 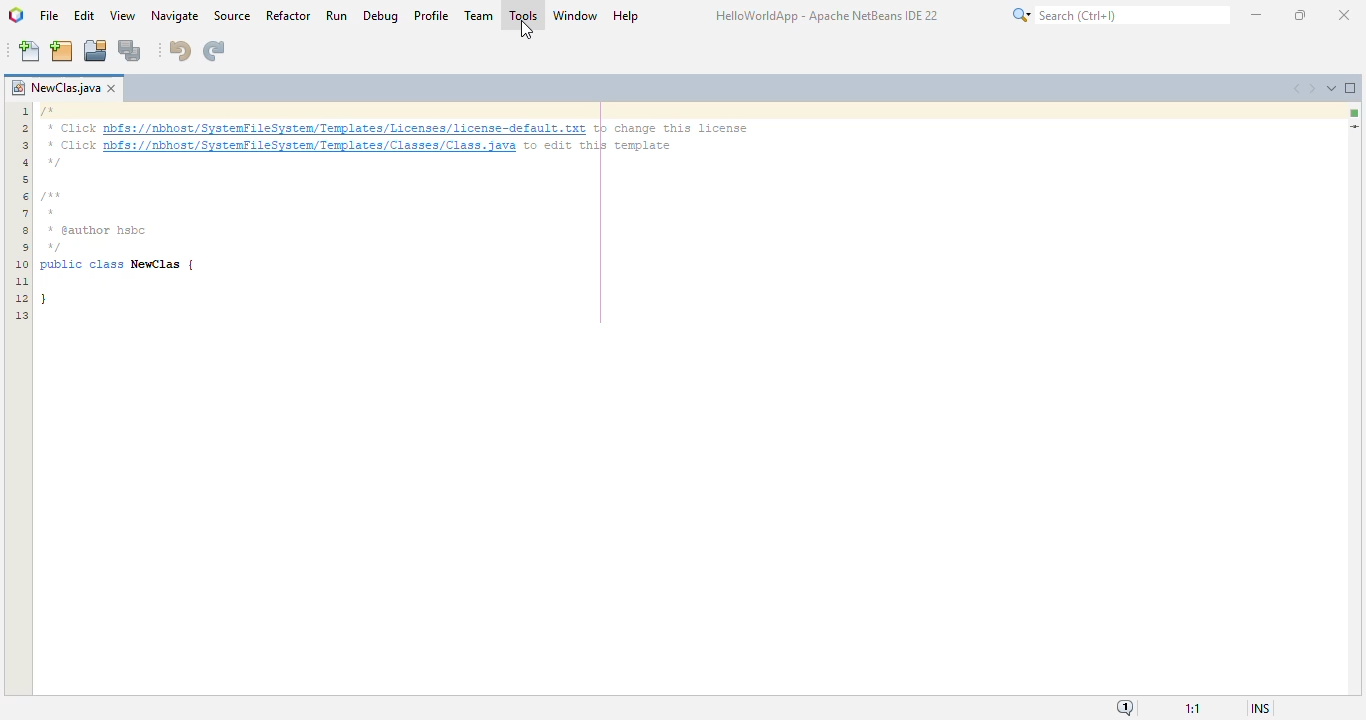 What do you see at coordinates (398, 213) in the screenshot?
I see `/*
+ Click nbfs://nbhost/SystenFileSysten/Templates/Licenses/license-default txt to change this license
+ Click pbfs://nbhost/SystenfileSysten/Templates/Classes/Class. java to edit this template
“0

fun
* pauthor hsbc
“0

public class NewClas |
}` at bounding box center [398, 213].